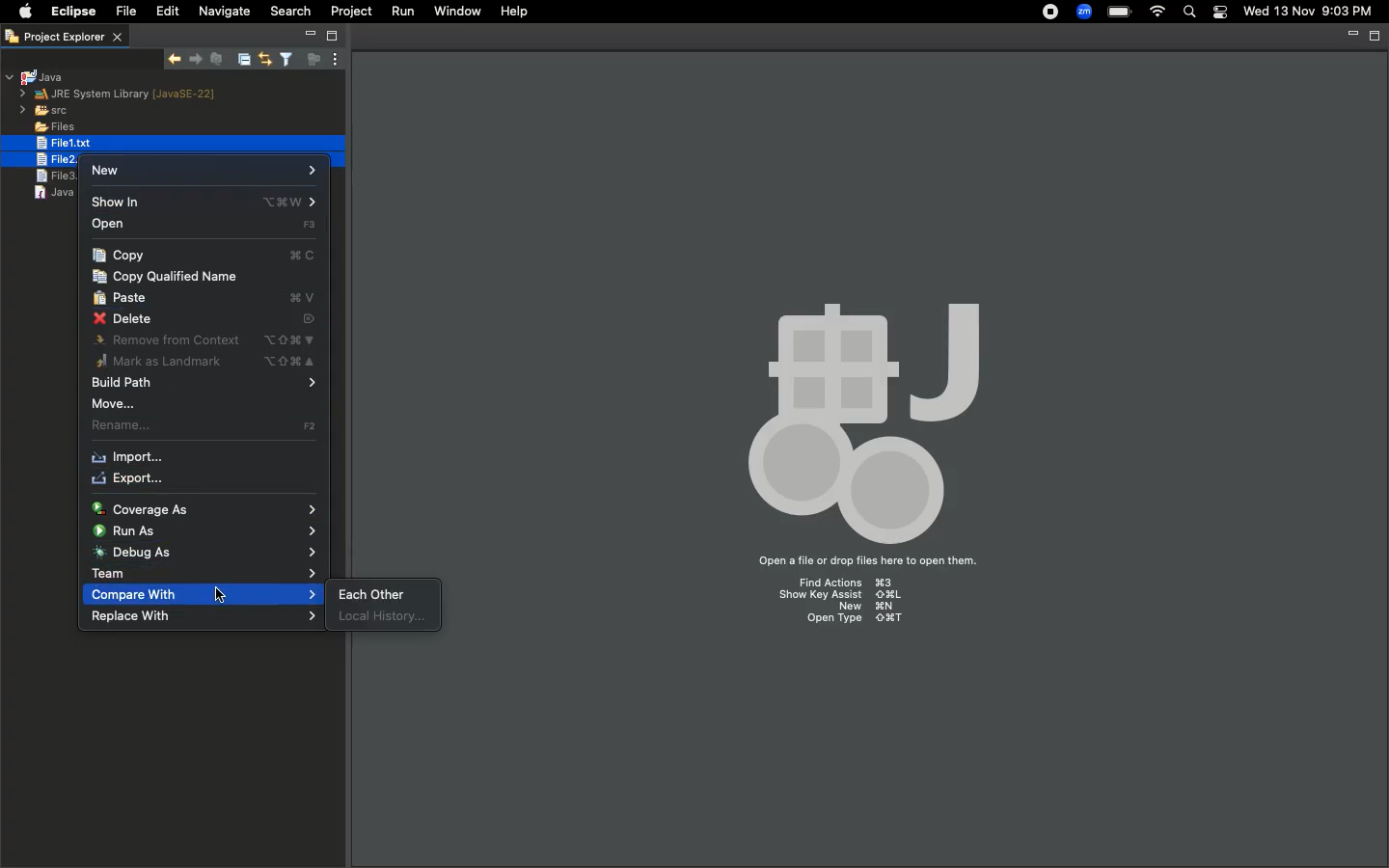 The height and width of the screenshot is (868, 1389). I want to click on Import, so click(128, 456).